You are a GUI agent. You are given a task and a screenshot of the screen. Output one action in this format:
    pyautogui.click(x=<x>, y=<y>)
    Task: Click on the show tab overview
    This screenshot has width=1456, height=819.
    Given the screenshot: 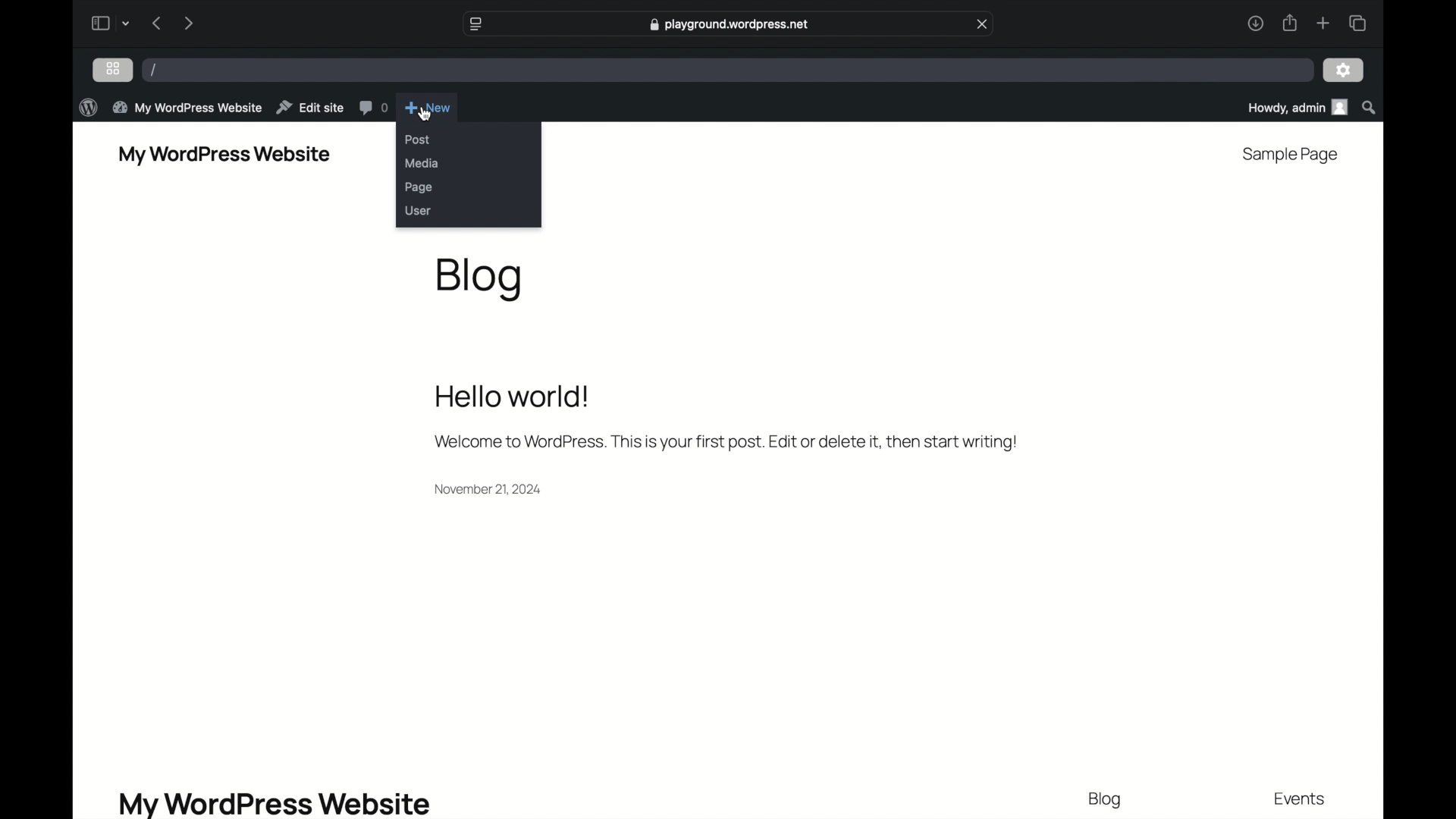 What is the action you would take?
    pyautogui.click(x=1359, y=23)
    